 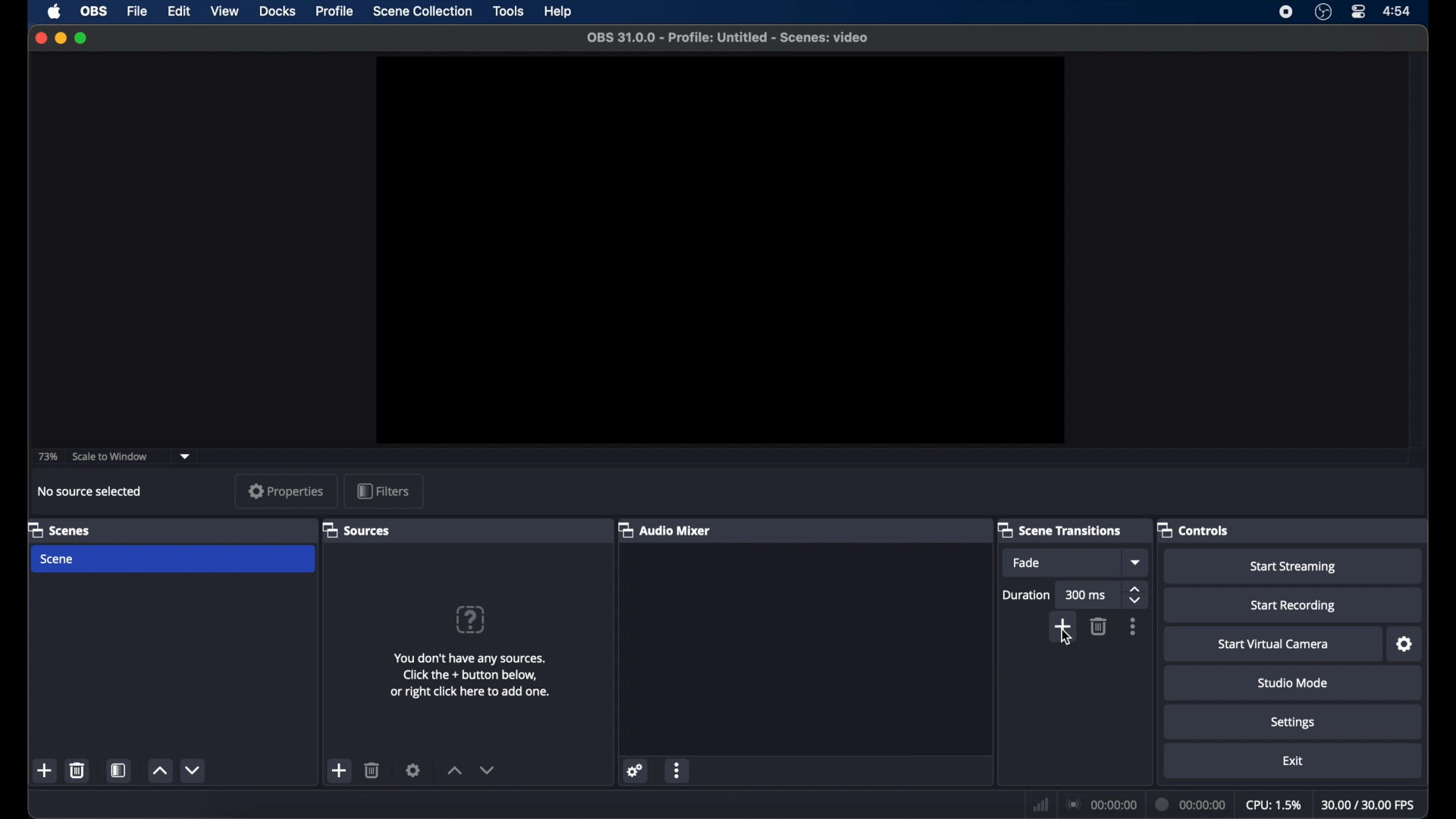 I want to click on delete, so click(x=77, y=770).